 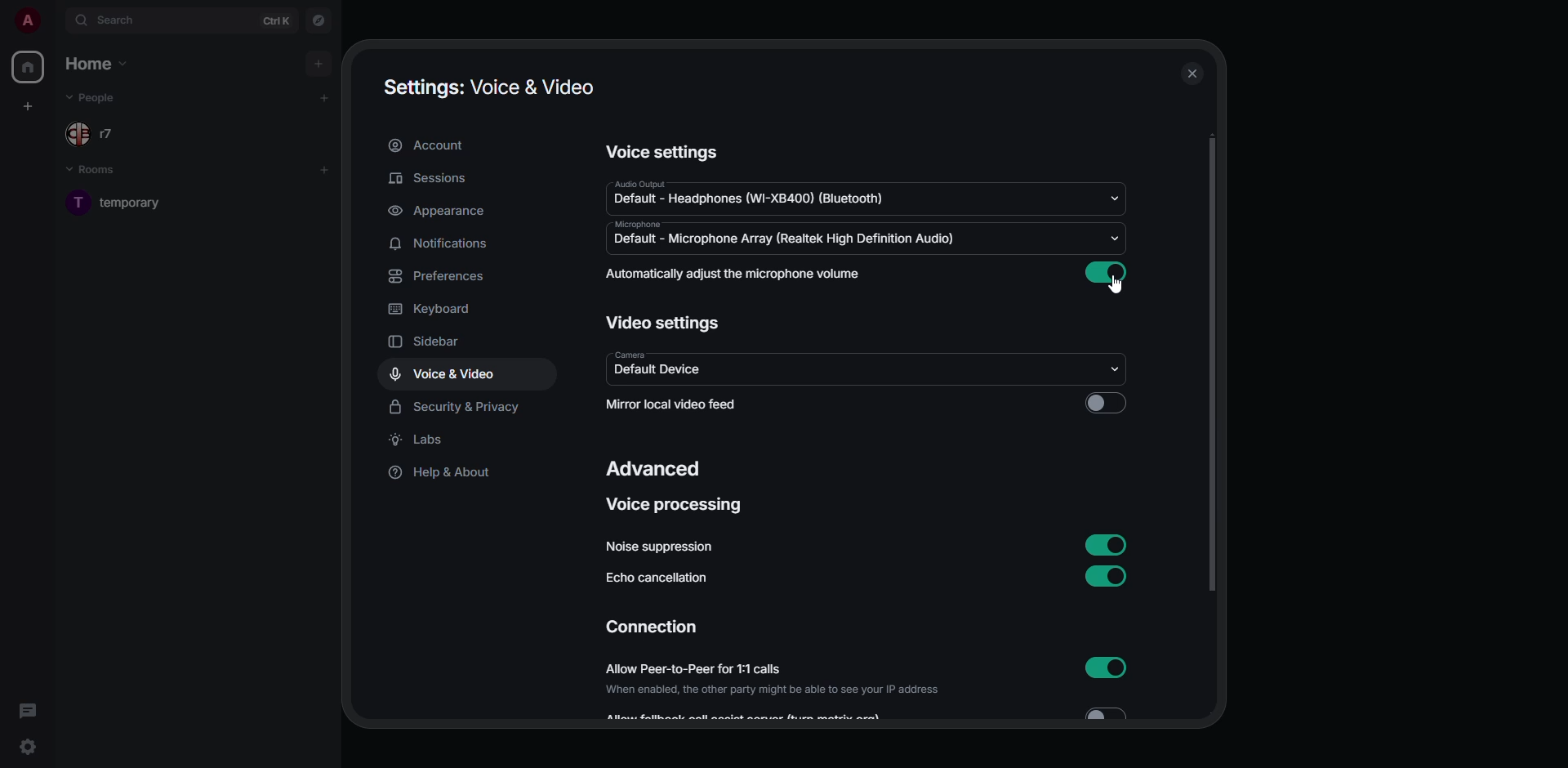 What do you see at coordinates (664, 323) in the screenshot?
I see `video settings` at bounding box center [664, 323].